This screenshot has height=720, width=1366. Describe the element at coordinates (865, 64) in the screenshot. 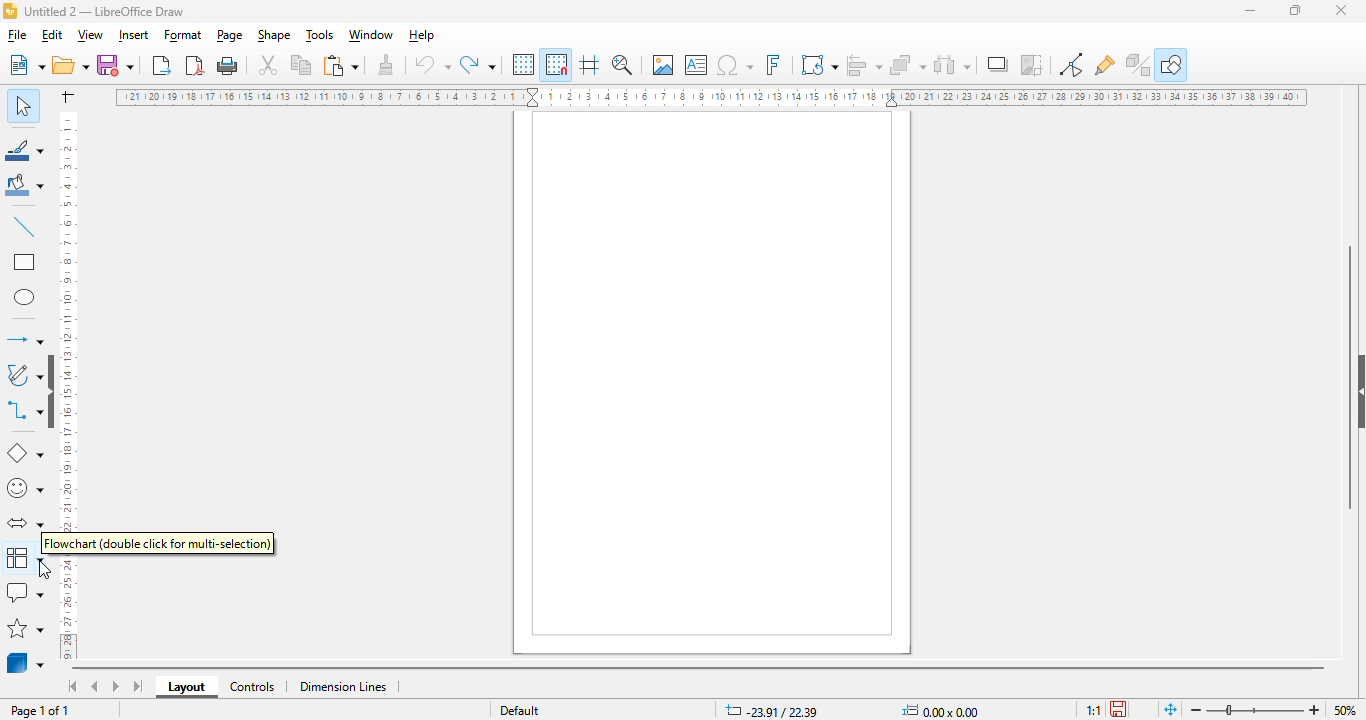

I see `align objects` at that location.